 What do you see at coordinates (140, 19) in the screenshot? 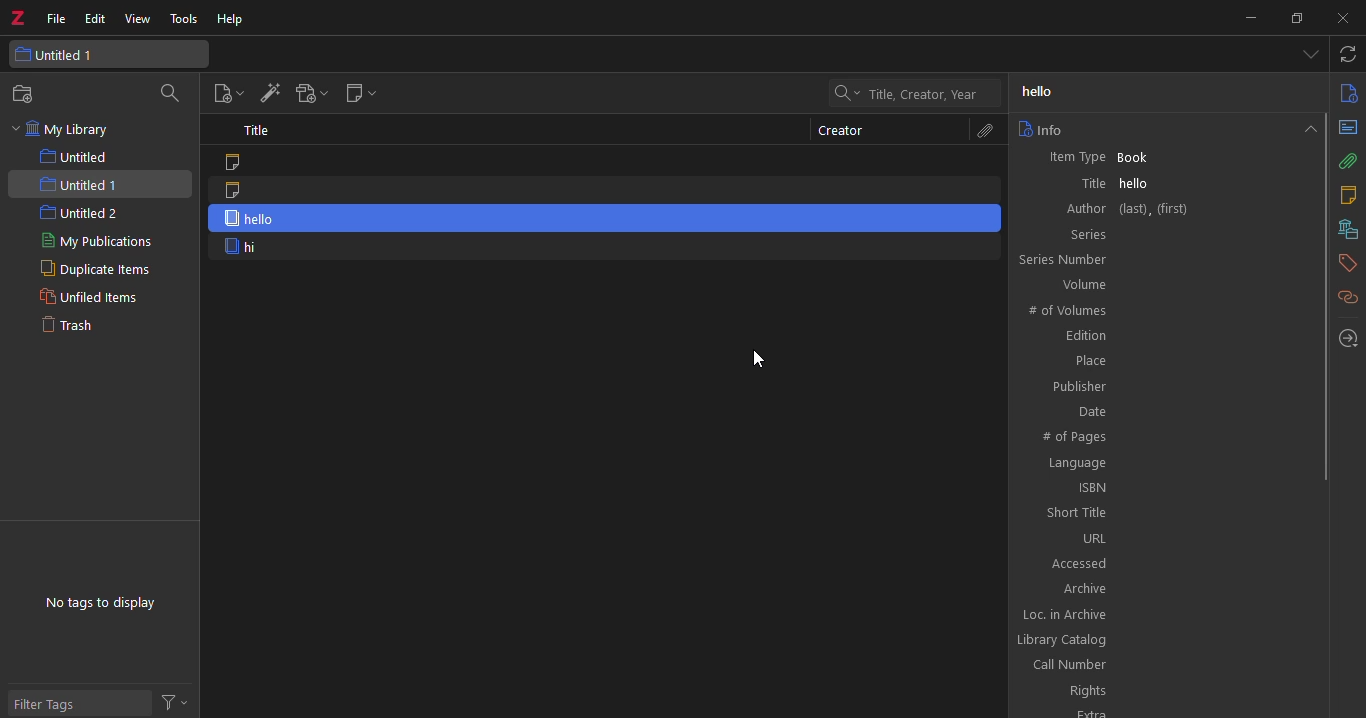
I see `view` at bounding box center [140, 19].